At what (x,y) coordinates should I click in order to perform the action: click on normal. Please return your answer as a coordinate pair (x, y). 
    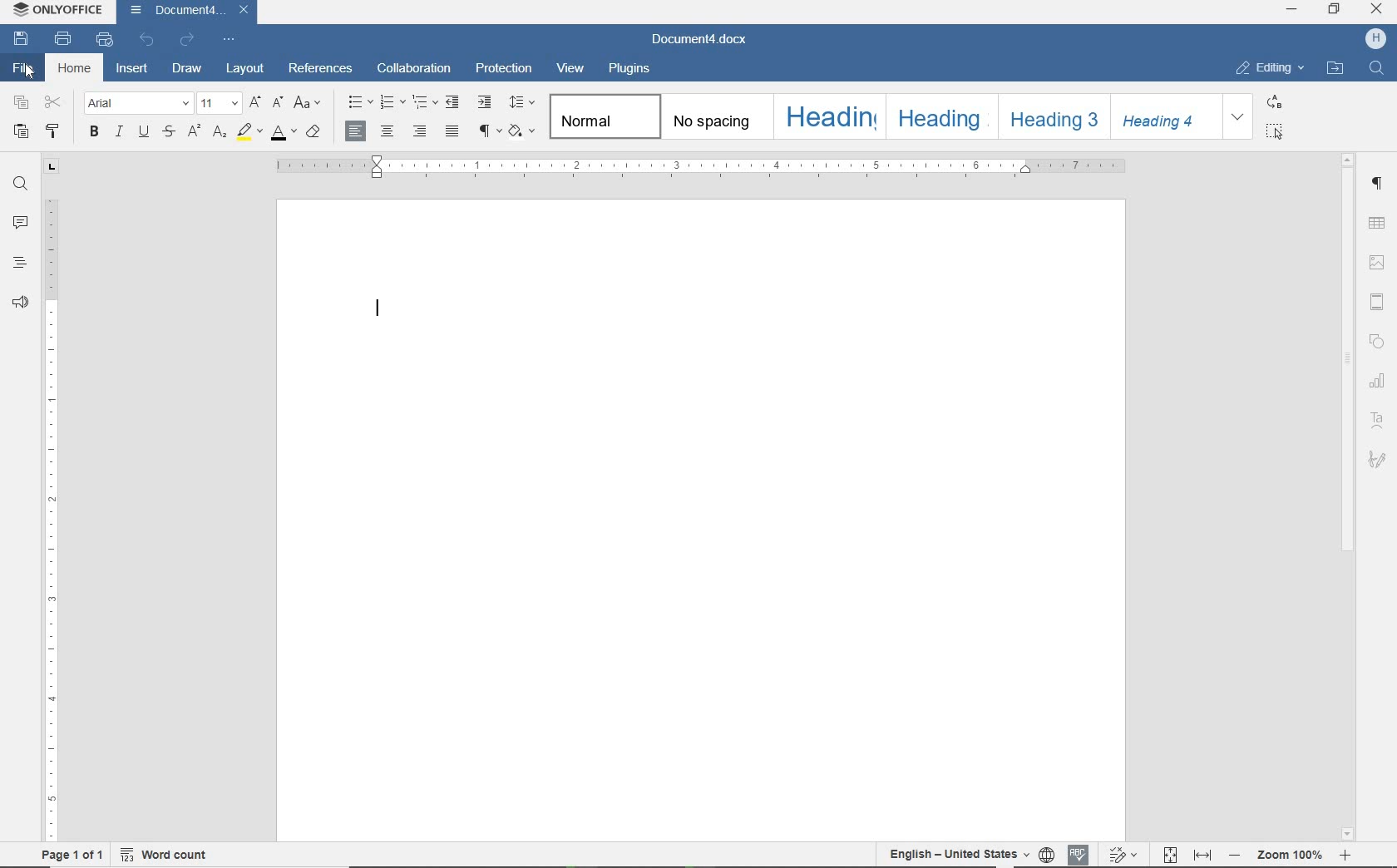
    Looking at the image, I should click on (605, 116).